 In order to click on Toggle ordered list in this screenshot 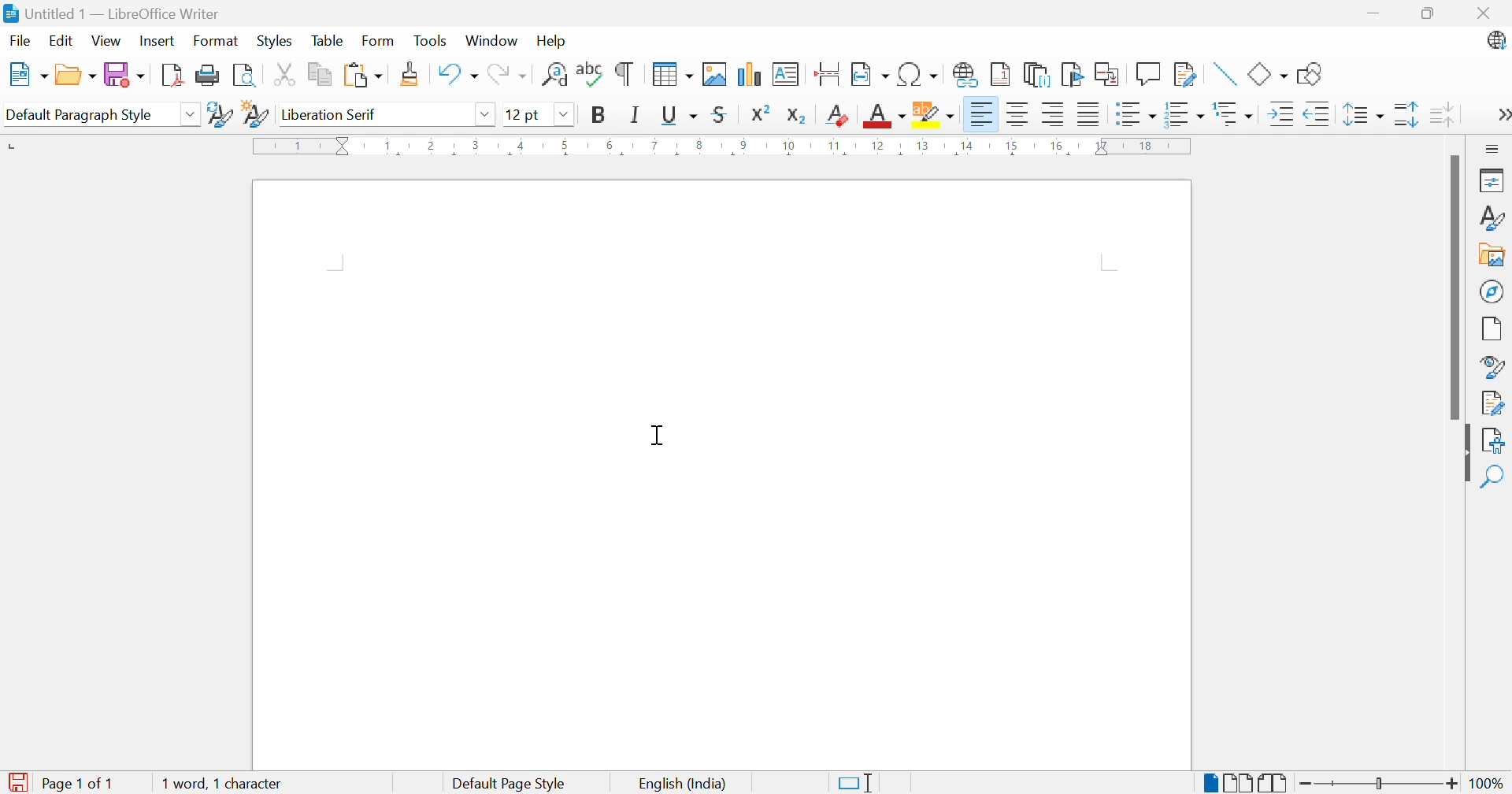, I will do `click(1185, 115)`.